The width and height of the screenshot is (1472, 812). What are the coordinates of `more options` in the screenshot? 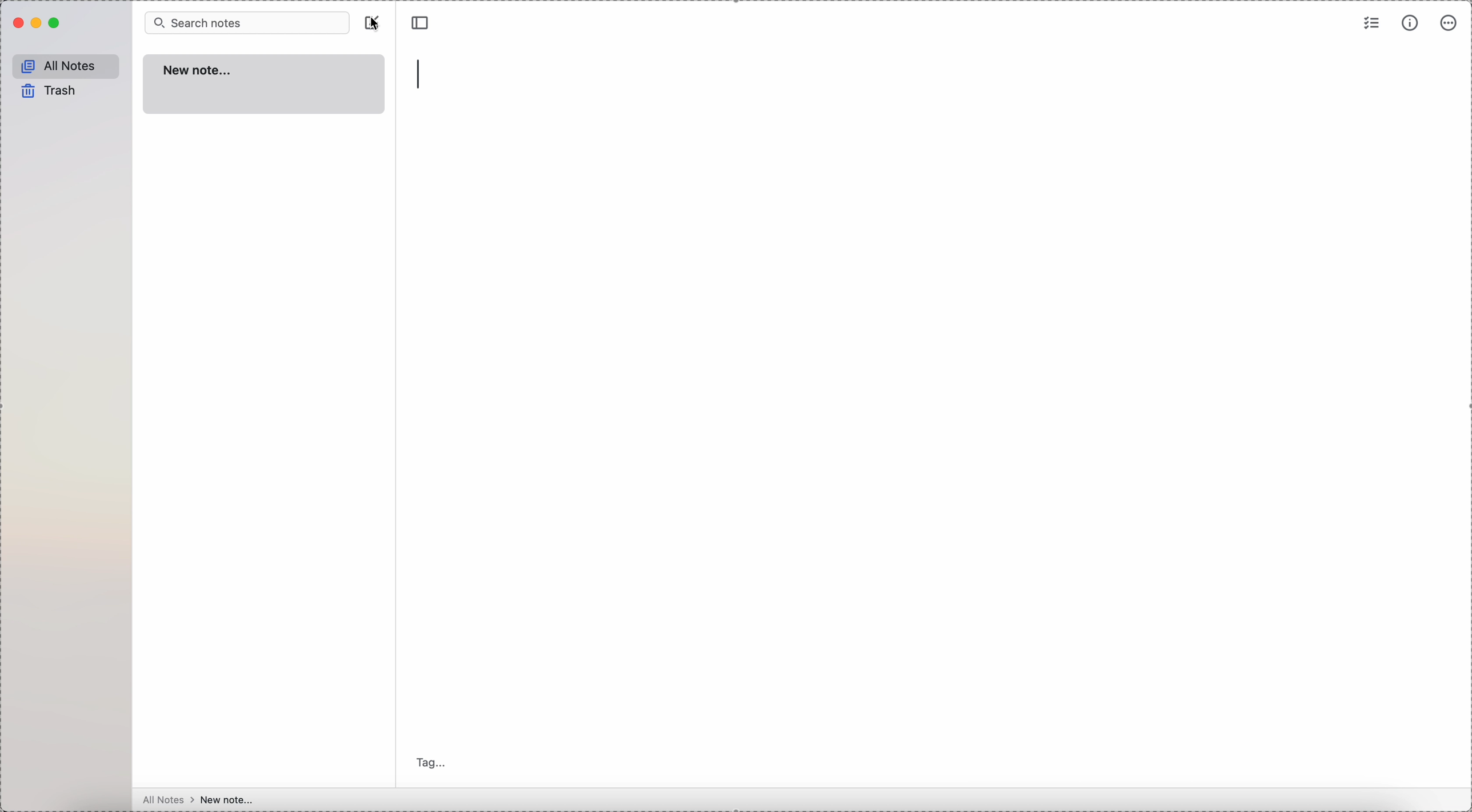 It's located at (1449, 25).